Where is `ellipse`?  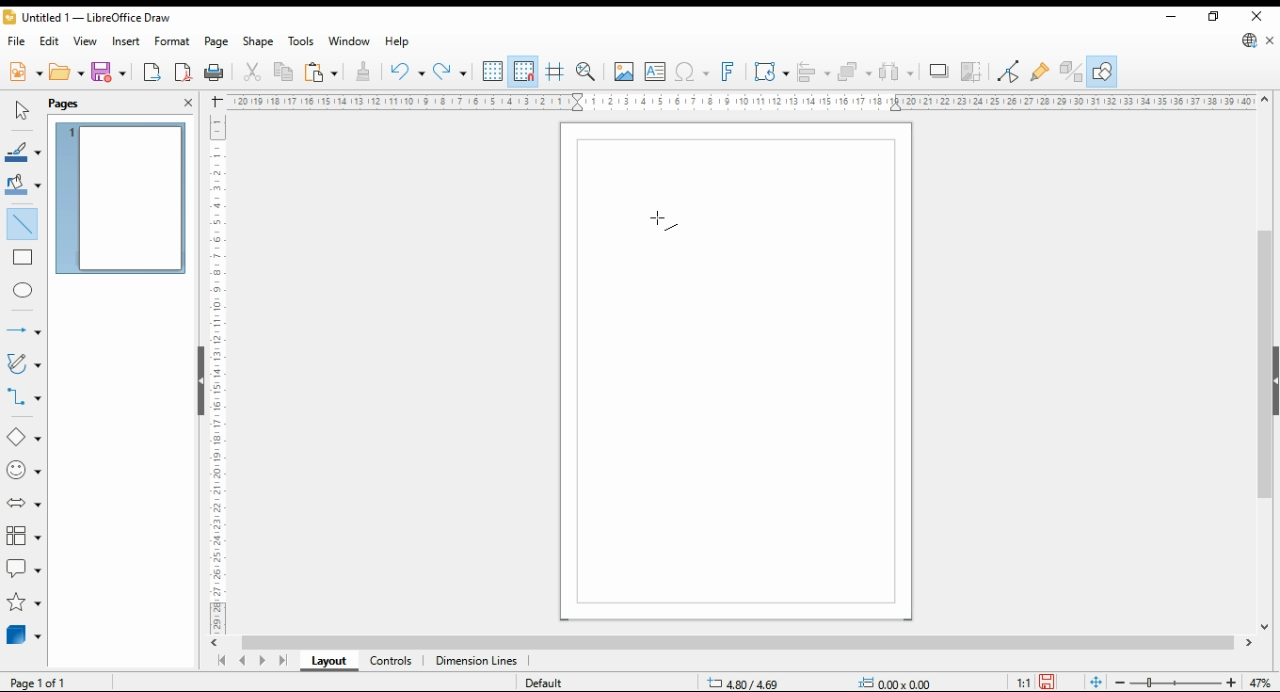
ellipse is located at coordinates (25, 290).